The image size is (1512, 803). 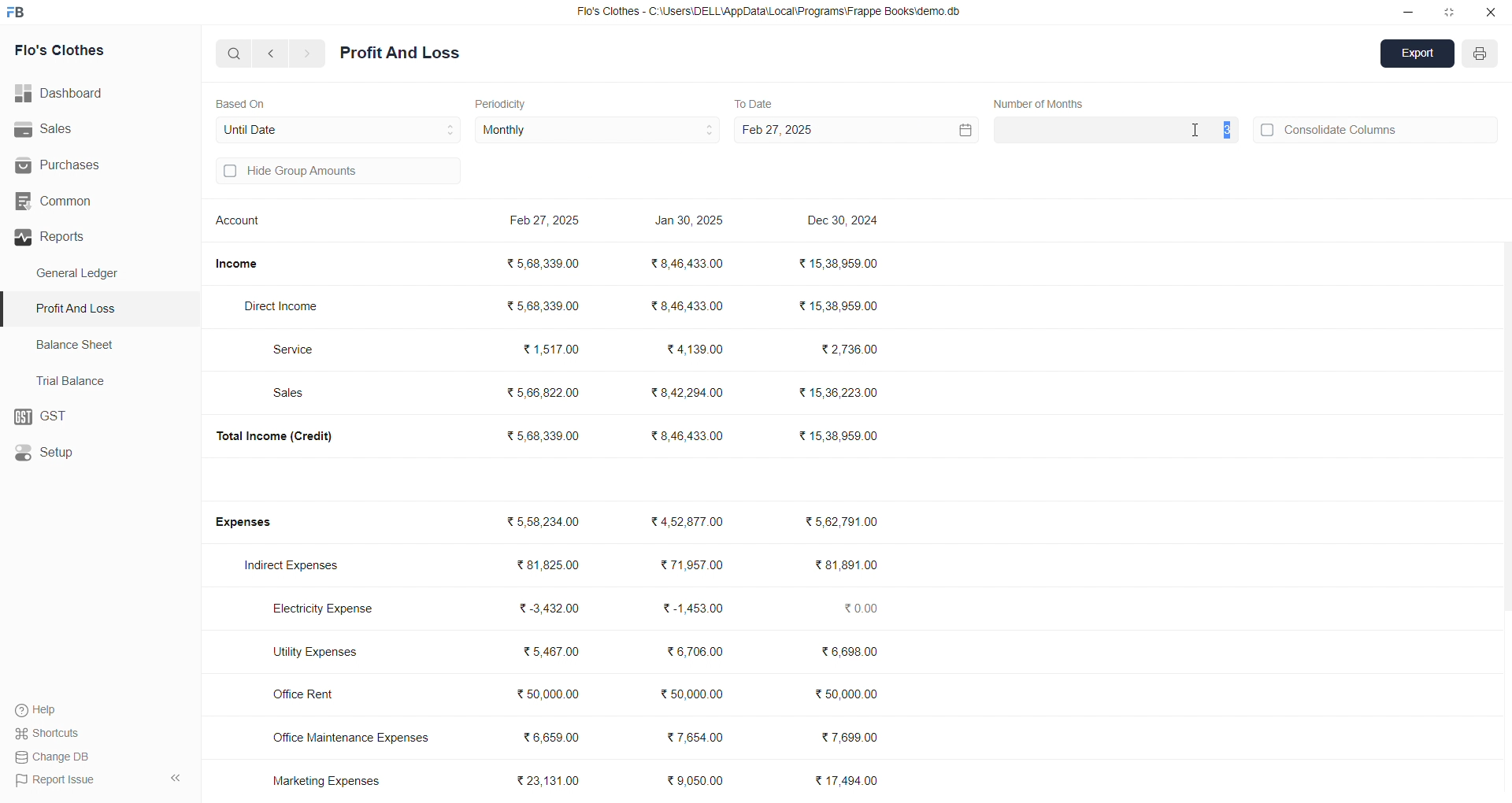 I want to click on resize, so click(x=1449, y=12).